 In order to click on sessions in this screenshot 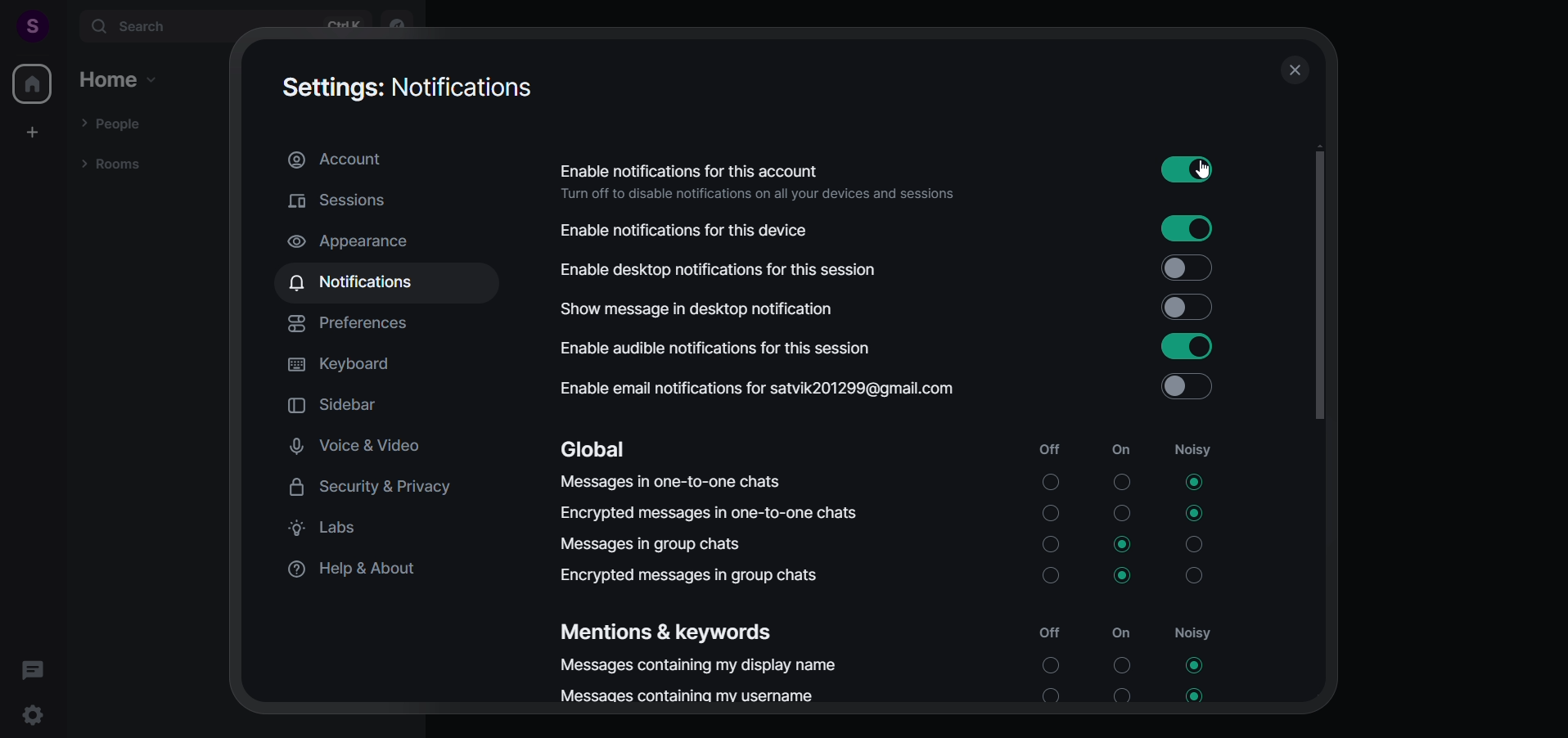, I will do `click(352, 200)`.